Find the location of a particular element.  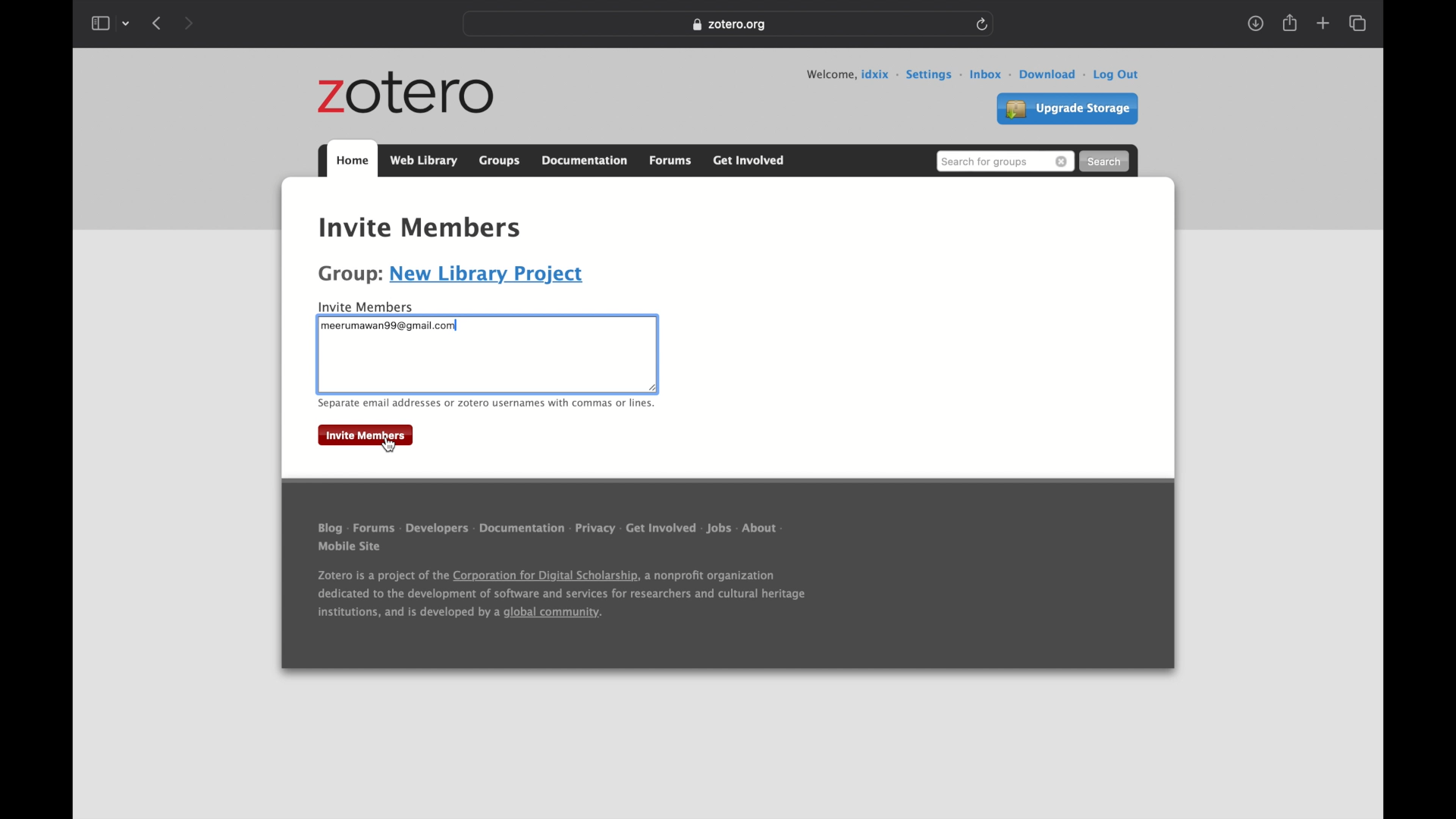

inbox is located at coordinates (990, 74).